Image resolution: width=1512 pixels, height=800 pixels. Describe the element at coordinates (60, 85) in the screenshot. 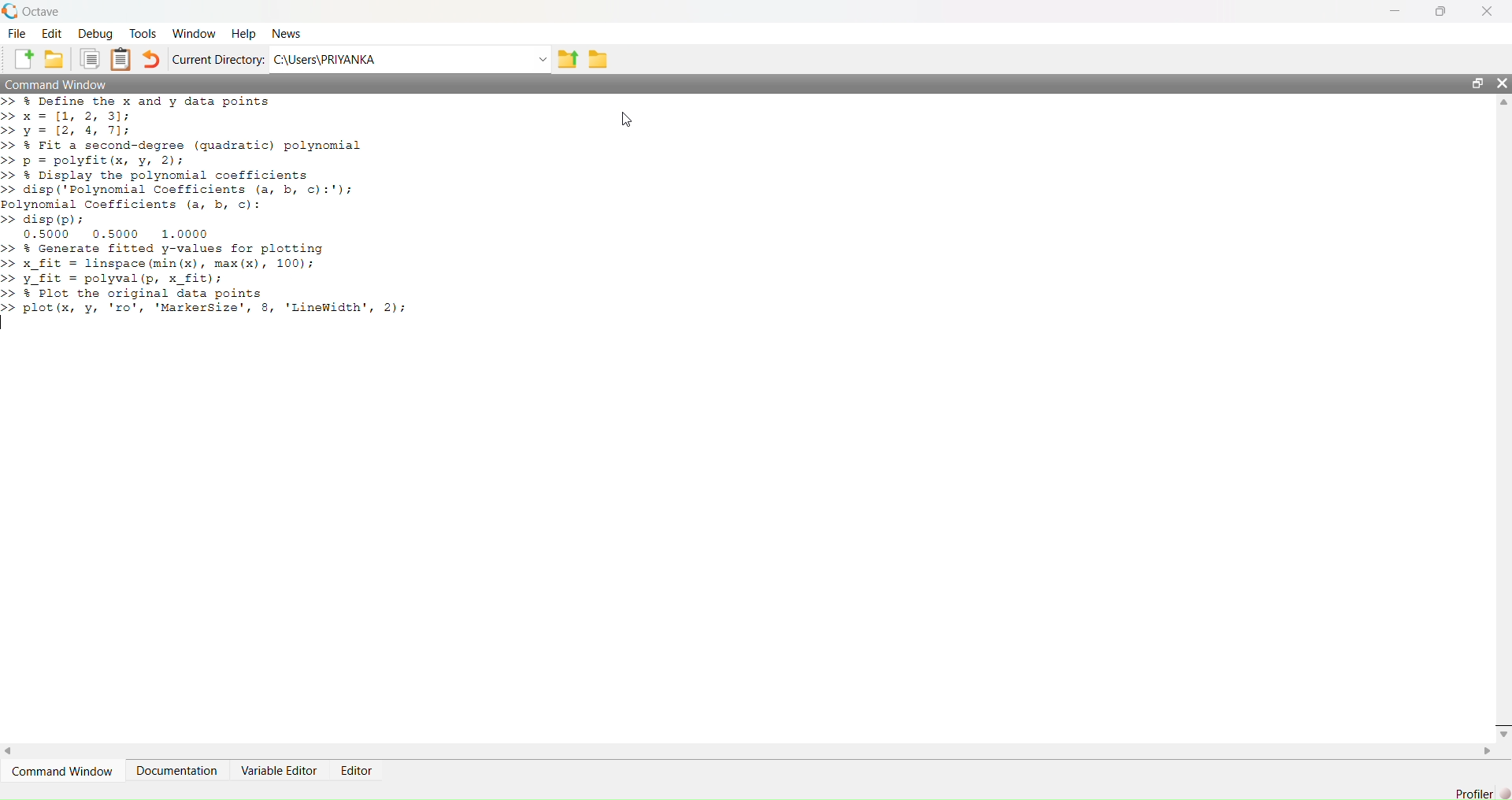

I see `Control Window` at that location.